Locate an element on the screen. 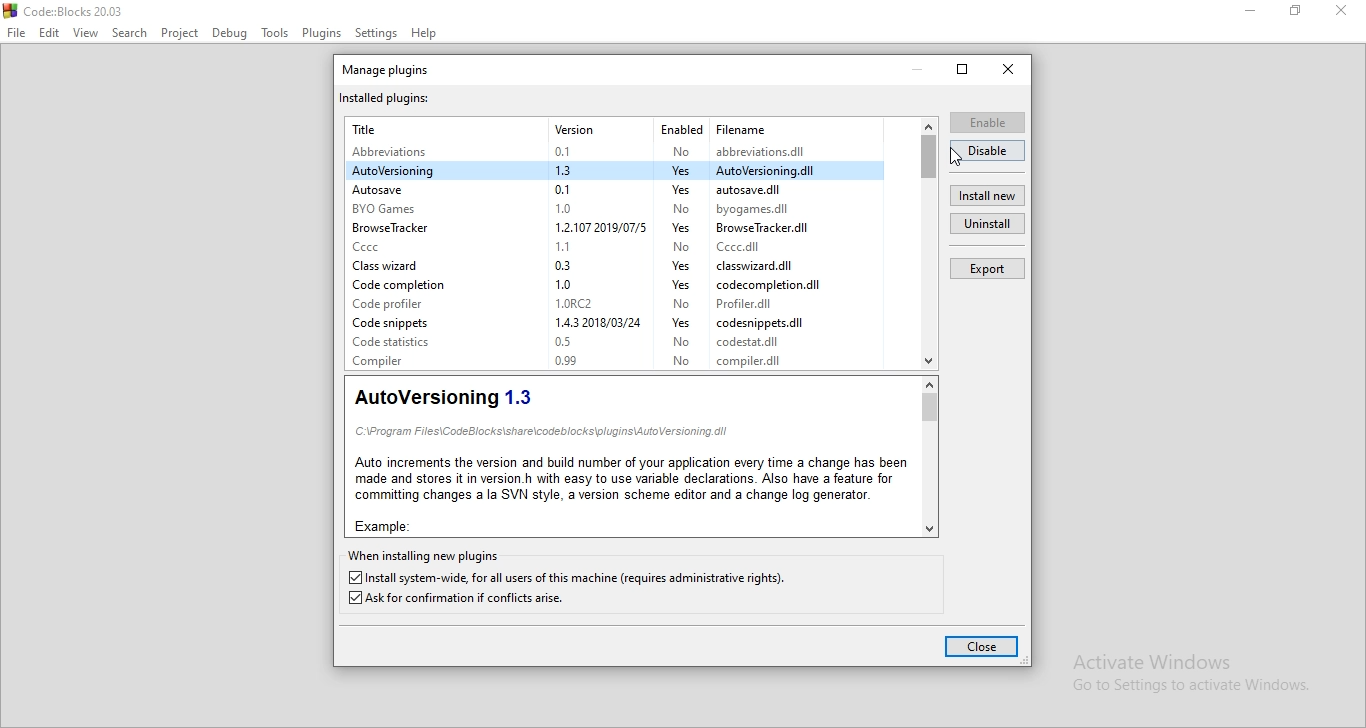 The height and width of the screenshot is (728, 1366). Code: Blocks 20.03 is located at coordinates (77, 11).